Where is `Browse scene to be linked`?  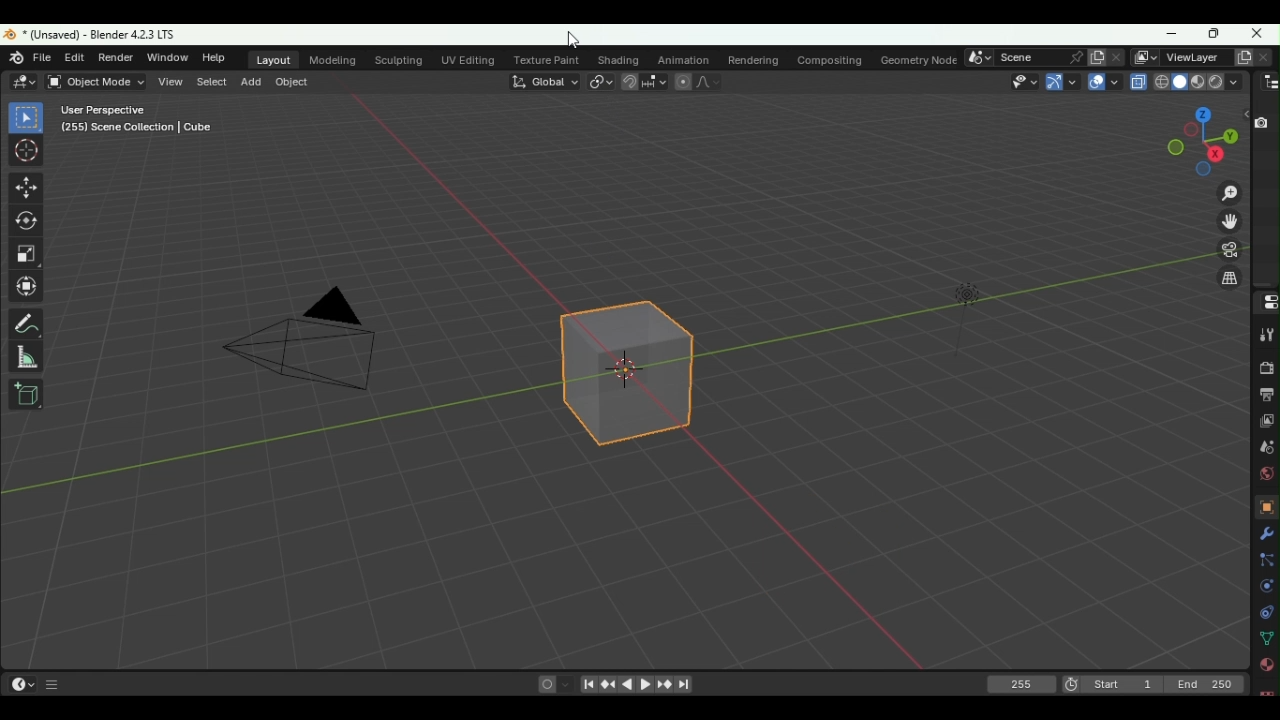 Browse scene to be linked is located at coordinates (977, 57).